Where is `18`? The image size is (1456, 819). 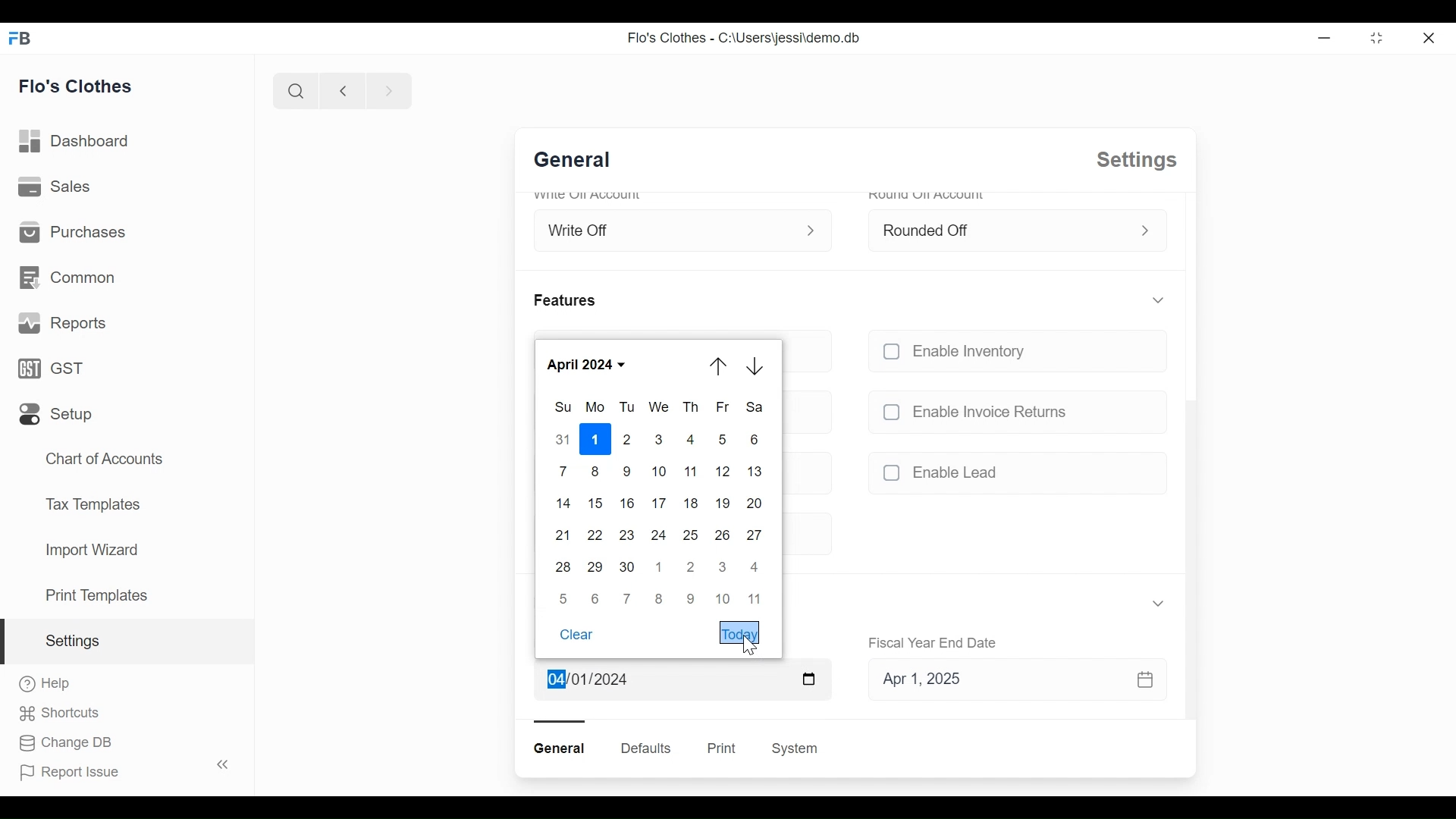 18 is located at coordinates (693, 503).